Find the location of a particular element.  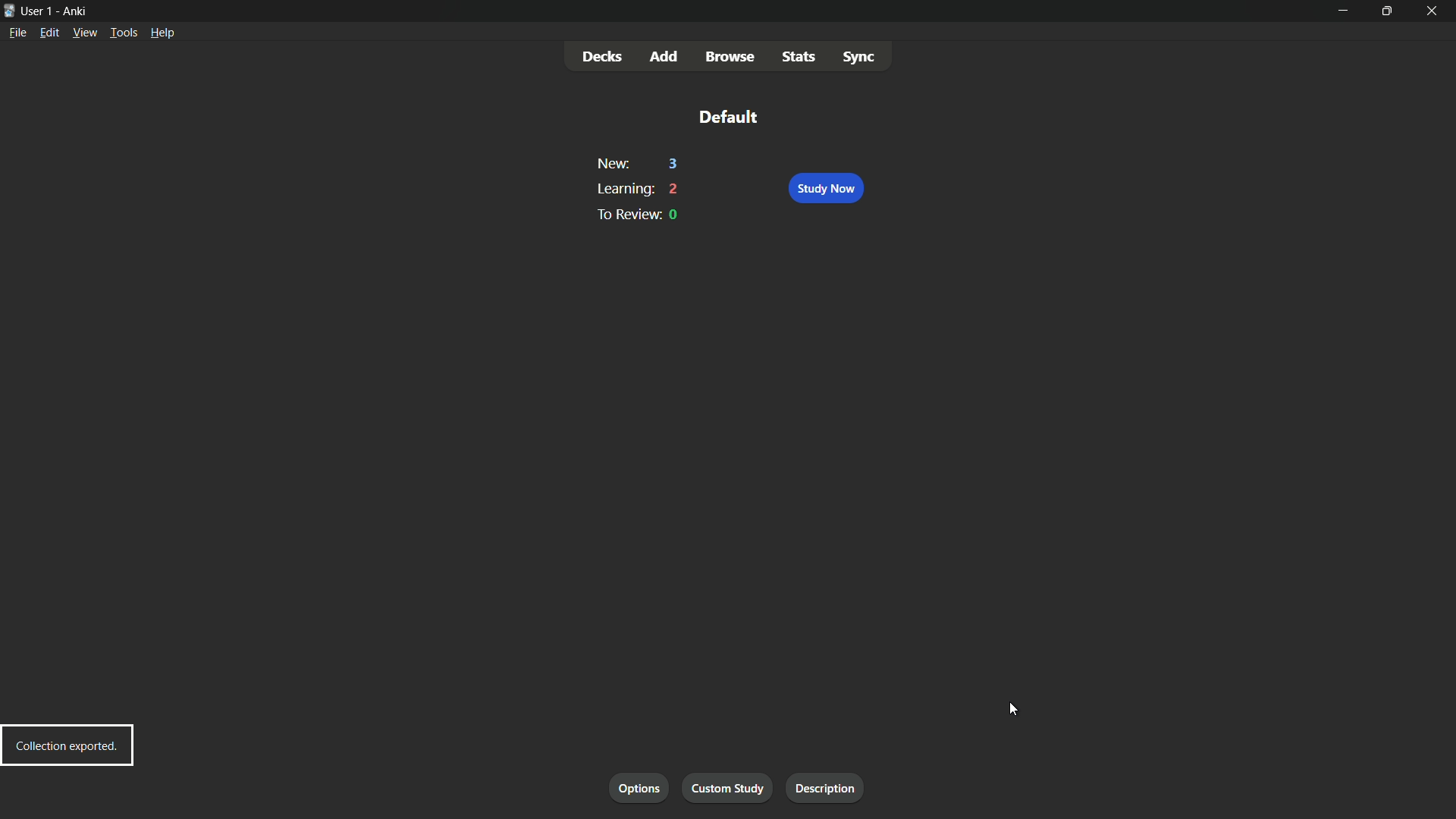

import file is located at coordinates (830, 789).